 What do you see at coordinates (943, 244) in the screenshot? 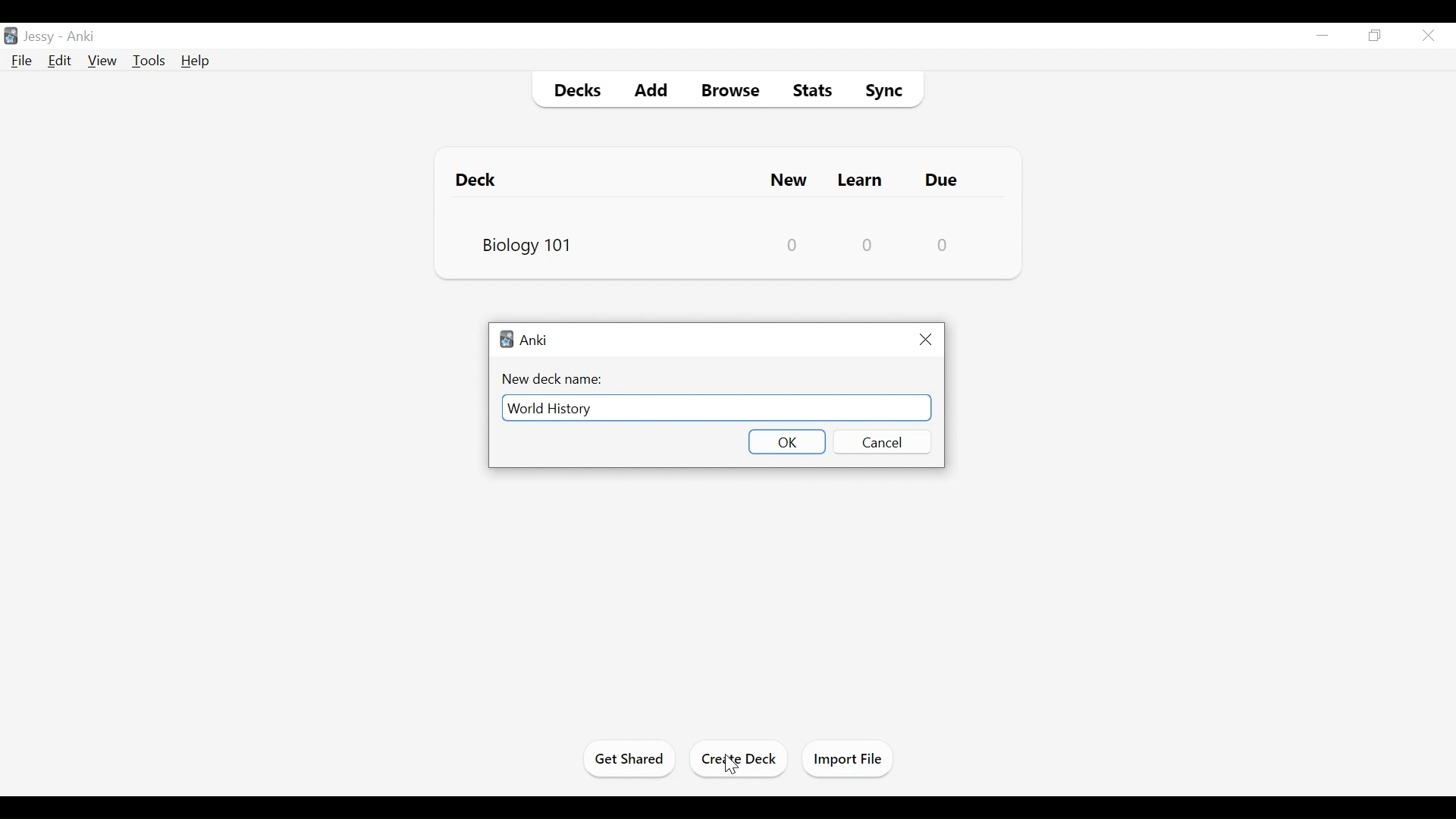
I see `Due Card Count` at bounding box center [943, 244].